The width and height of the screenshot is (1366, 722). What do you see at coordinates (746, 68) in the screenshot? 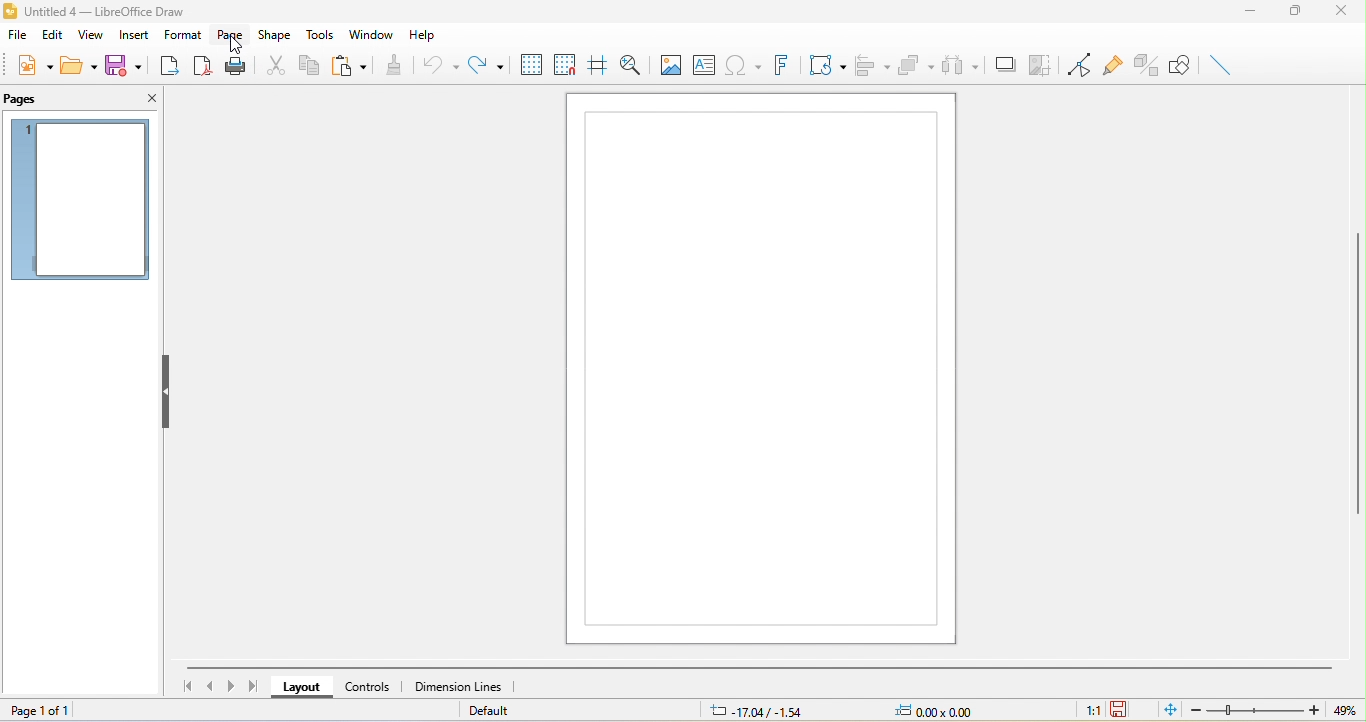
I see `special character` at bounding box center [746, 68].